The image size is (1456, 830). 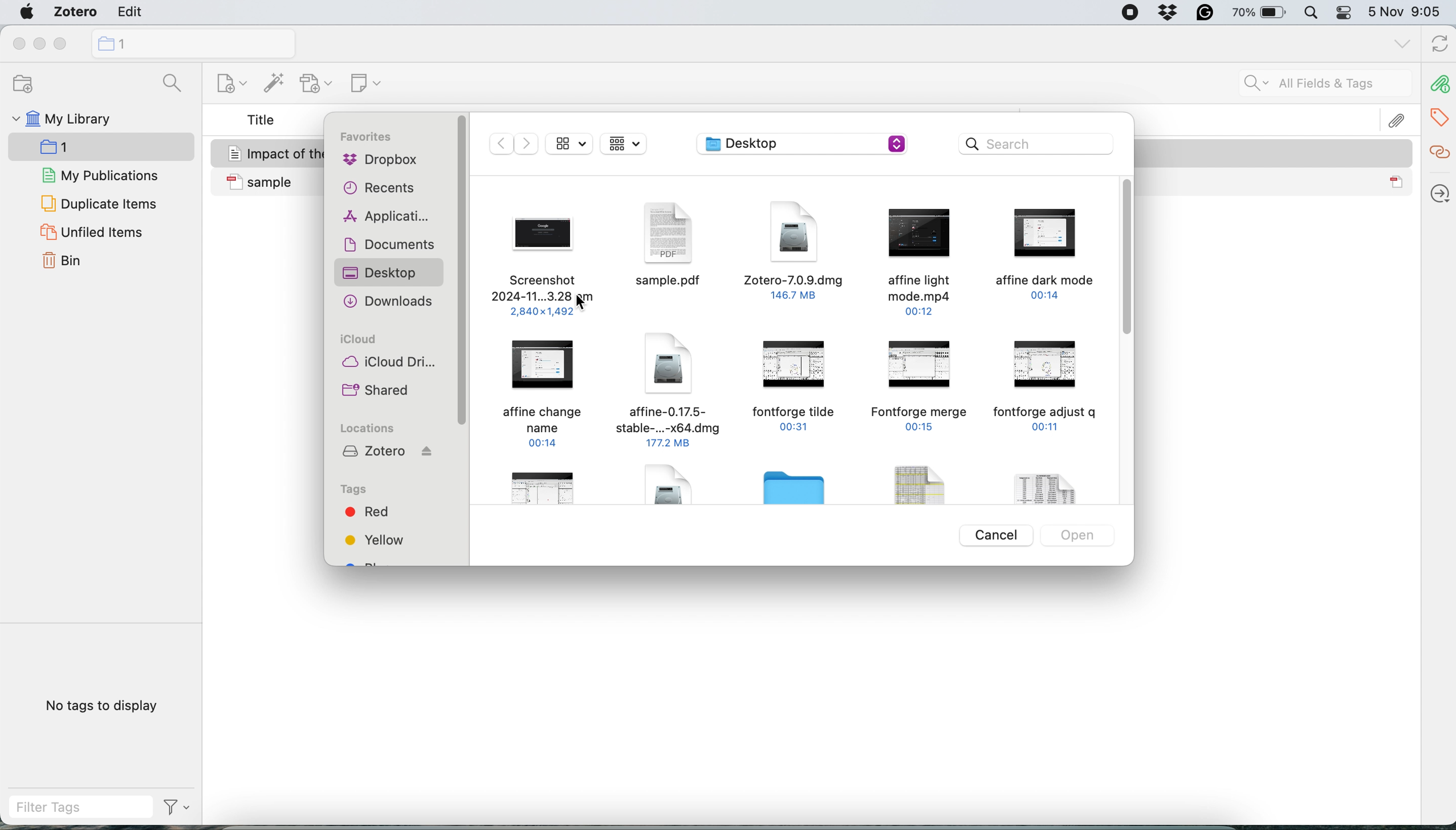 What do you see at coordinates (917, 257) in the screenshot?
I see `Affine light mode.mp4` at bounding box center [917, 257].